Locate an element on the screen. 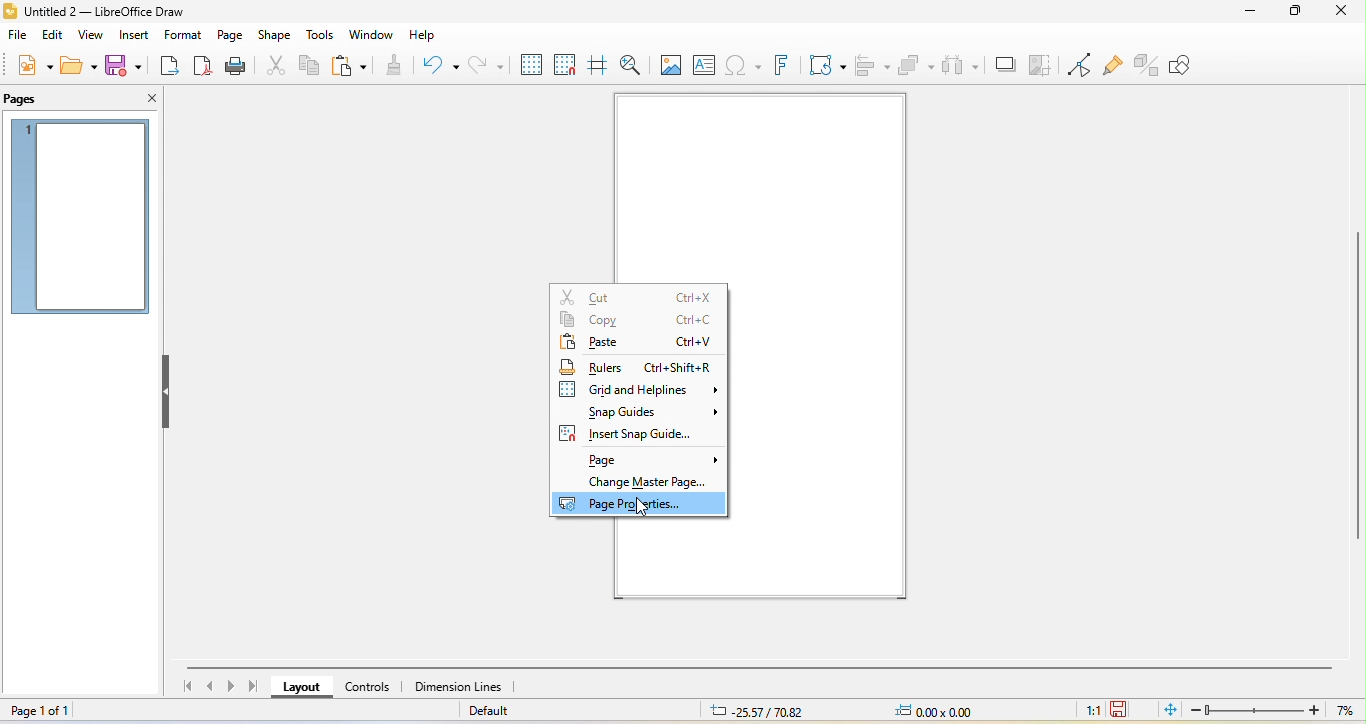 The image size is (1366, 724). insert snap guide is located at coordinates (634, 434).